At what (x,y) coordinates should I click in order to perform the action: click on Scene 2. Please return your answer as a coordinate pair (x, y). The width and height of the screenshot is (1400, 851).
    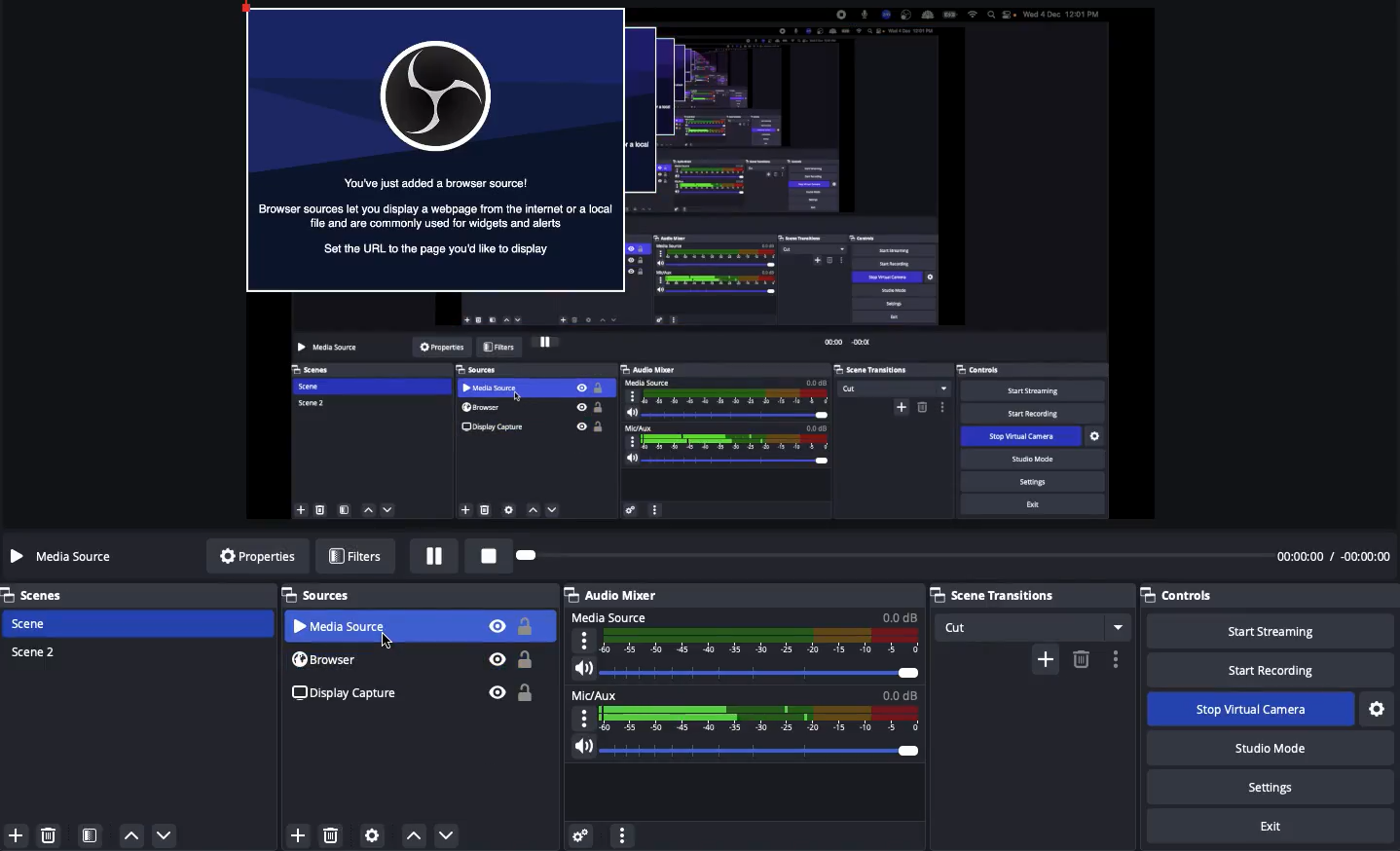
    Looking at the image, I should click on (36, 652).